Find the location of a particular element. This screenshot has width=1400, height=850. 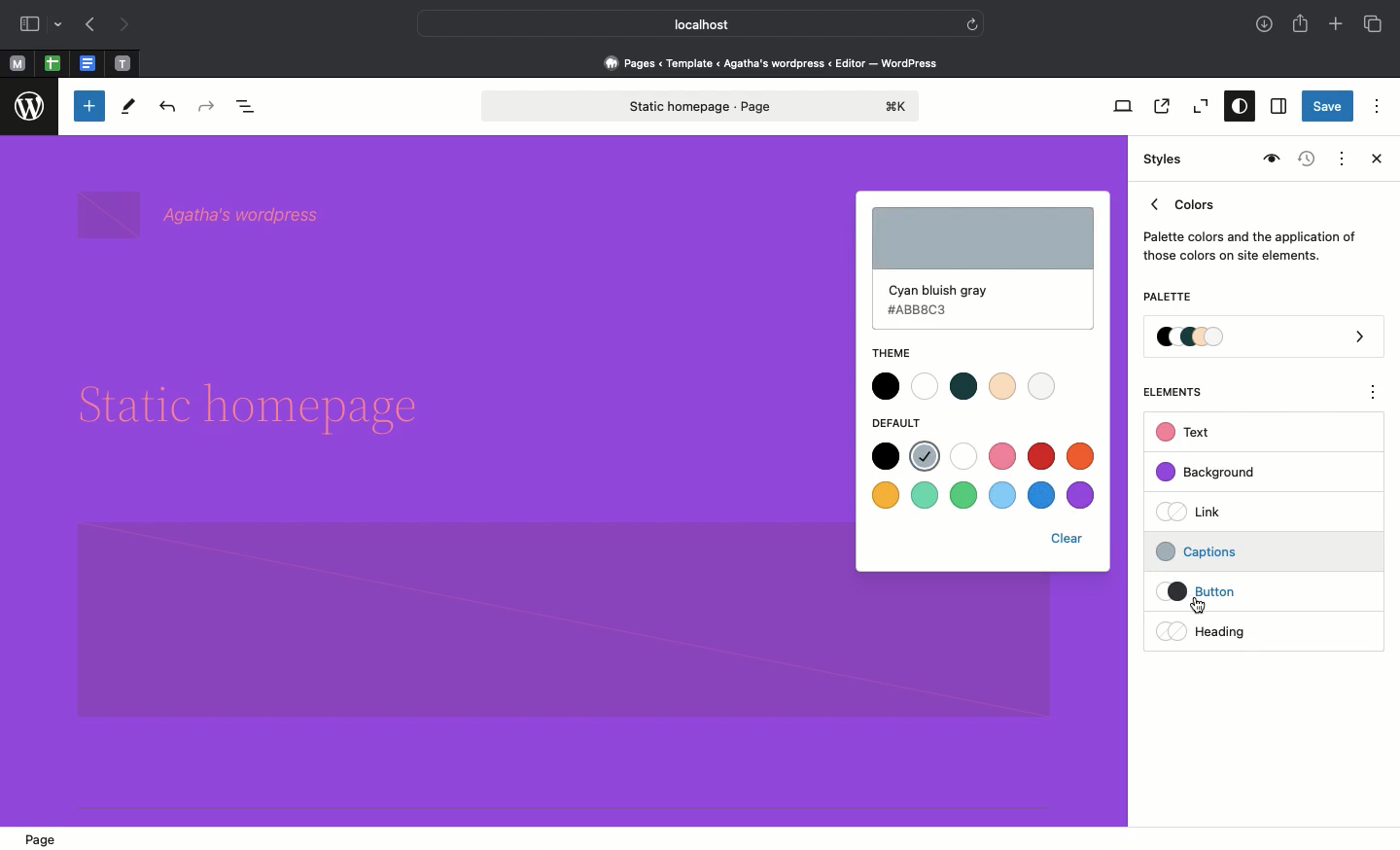

Theme is located at coordinates (889, 353).